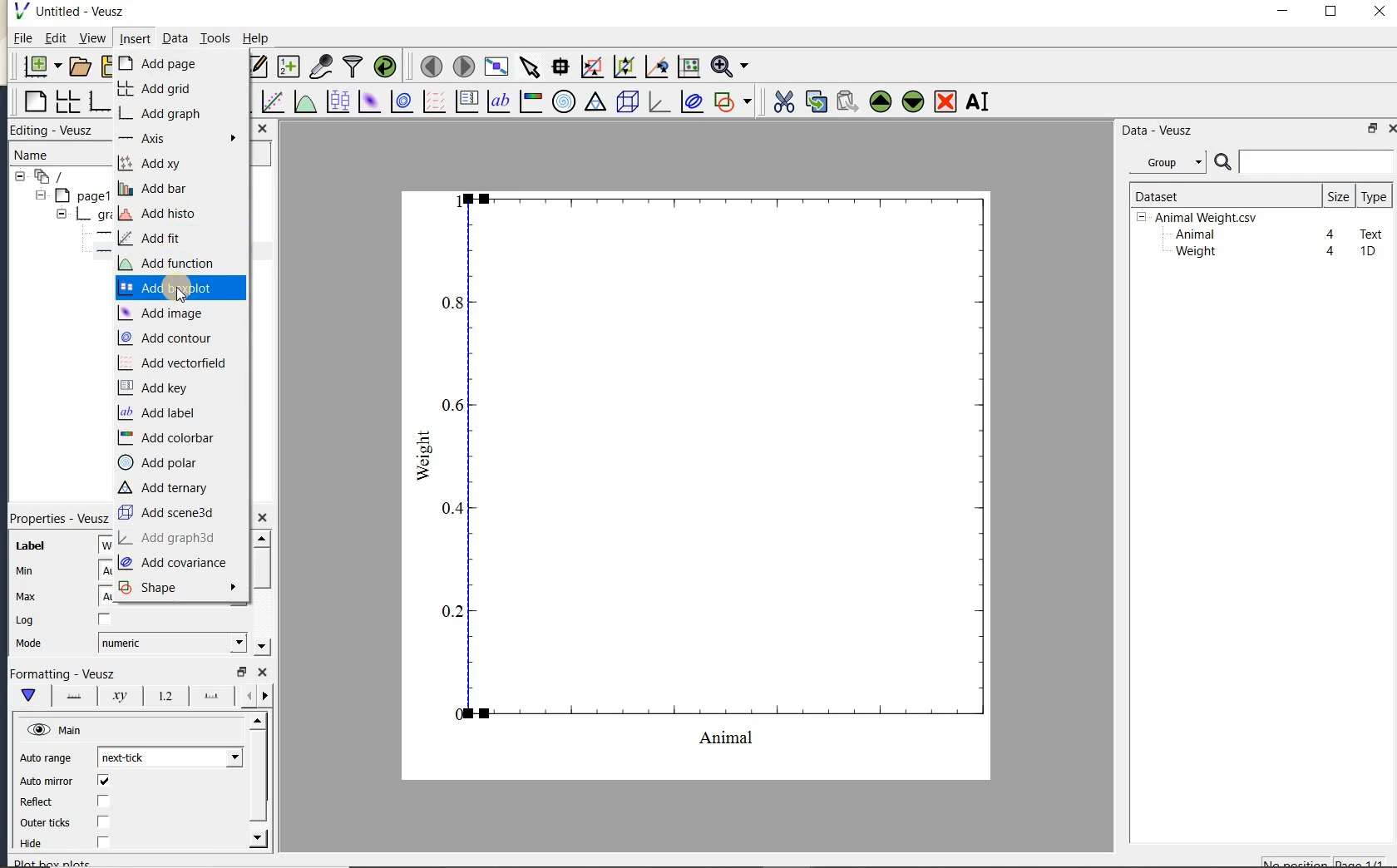 Image resolution: width=1397 pixels, height=868 pixels. I want to click on image color bar, so click(531, 101).